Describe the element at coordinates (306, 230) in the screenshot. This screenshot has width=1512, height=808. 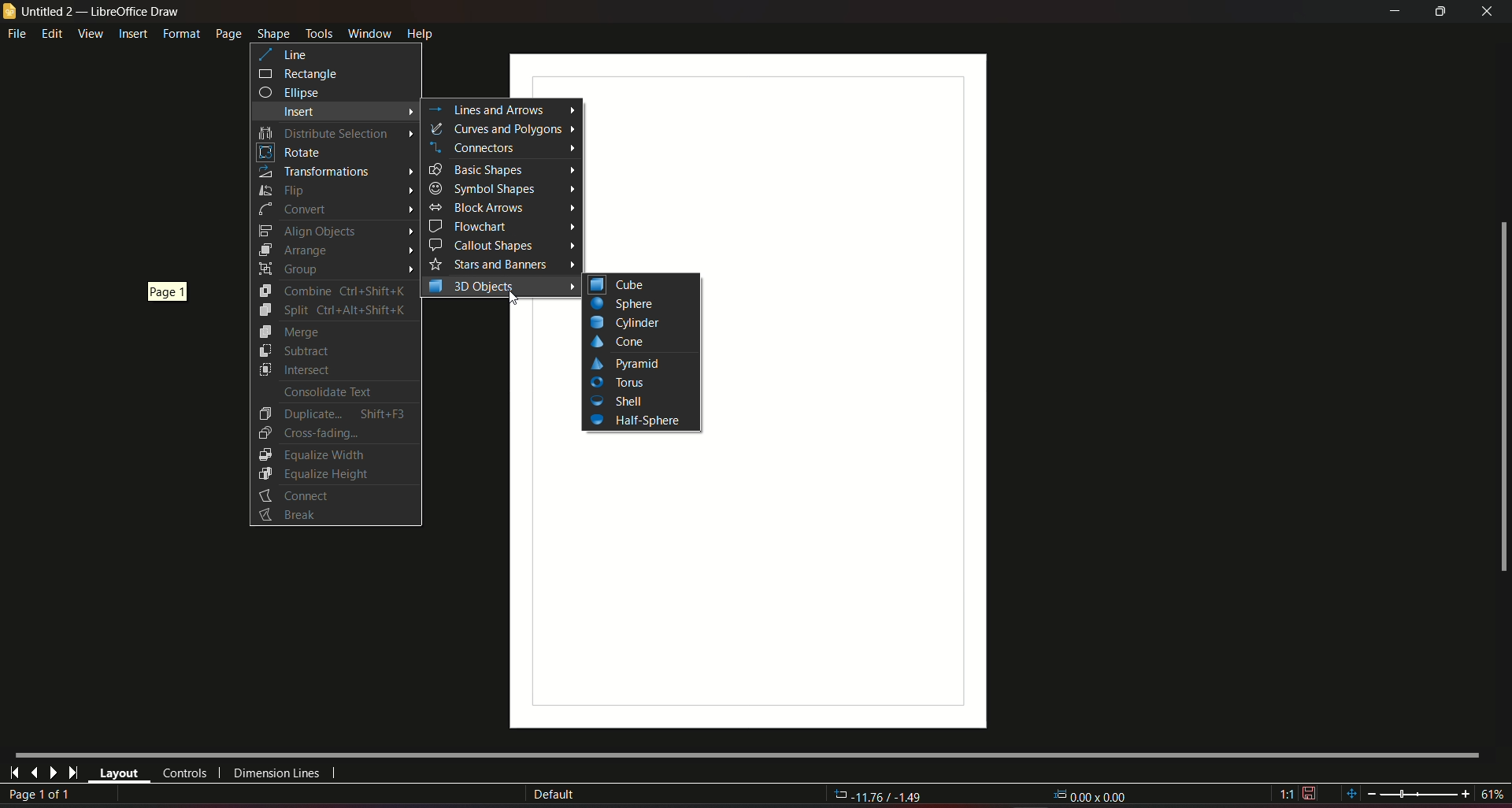
I see `Align Objects` at that location.